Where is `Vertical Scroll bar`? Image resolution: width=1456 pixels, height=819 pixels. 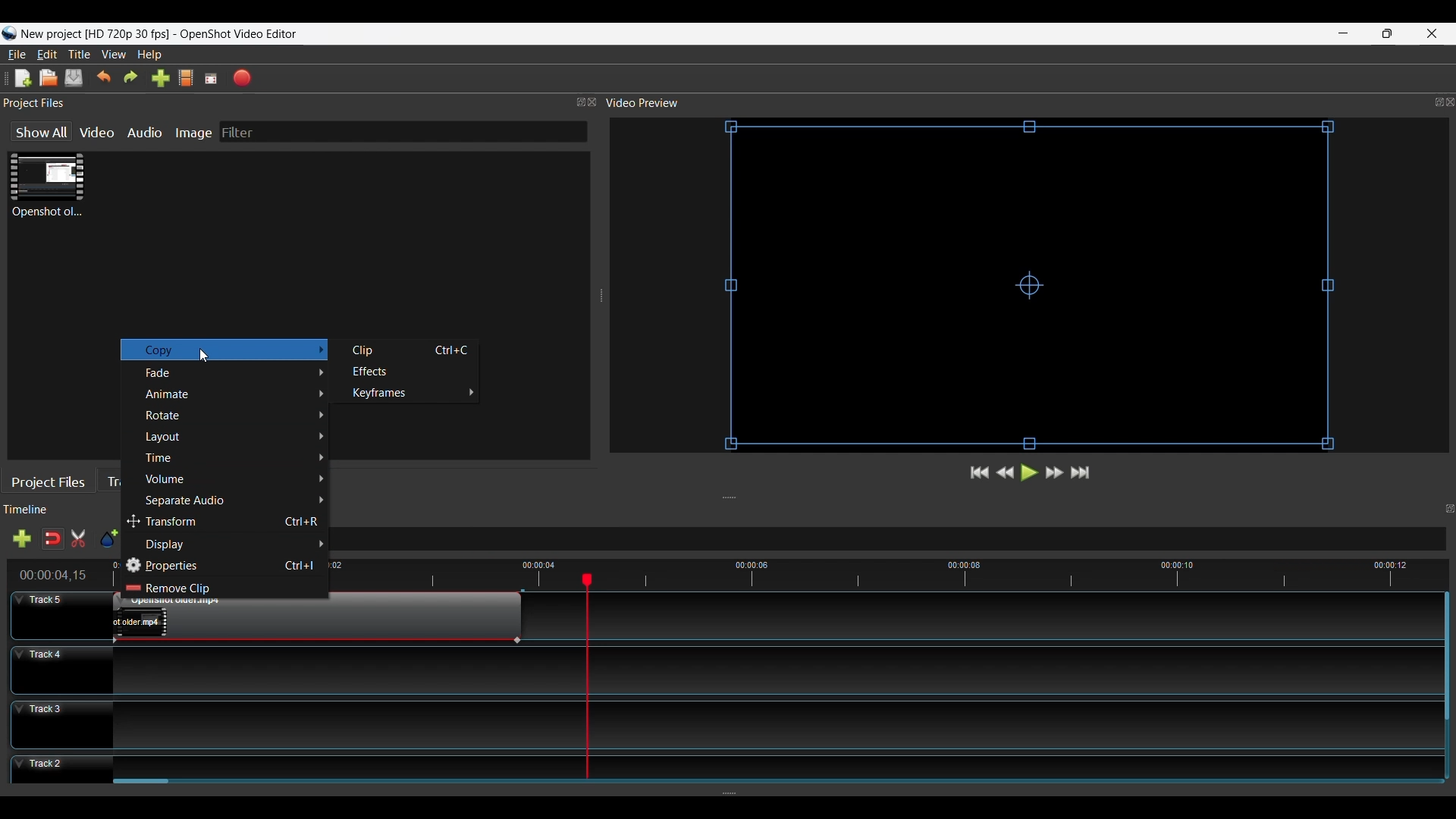
Vertical Scroll bar is located at coordinates (1445, 657).